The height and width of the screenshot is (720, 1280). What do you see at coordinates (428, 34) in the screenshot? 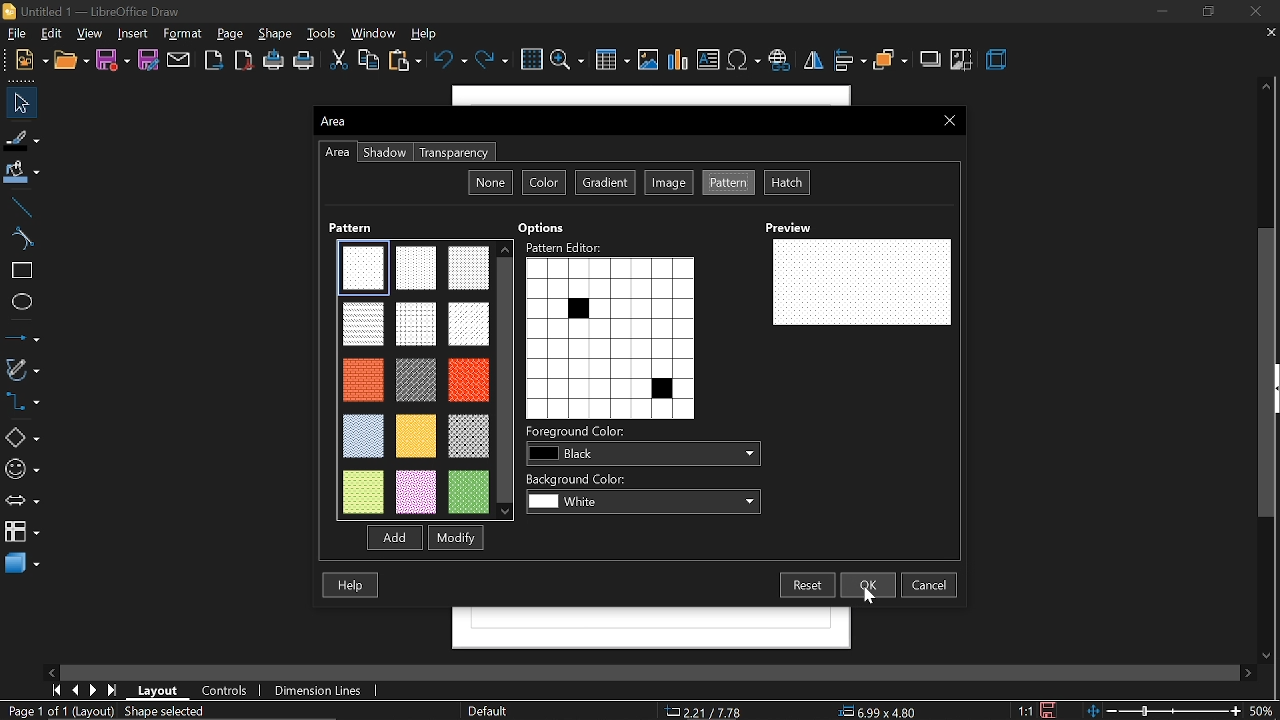
I see `help` at bounding box center [428, 34].